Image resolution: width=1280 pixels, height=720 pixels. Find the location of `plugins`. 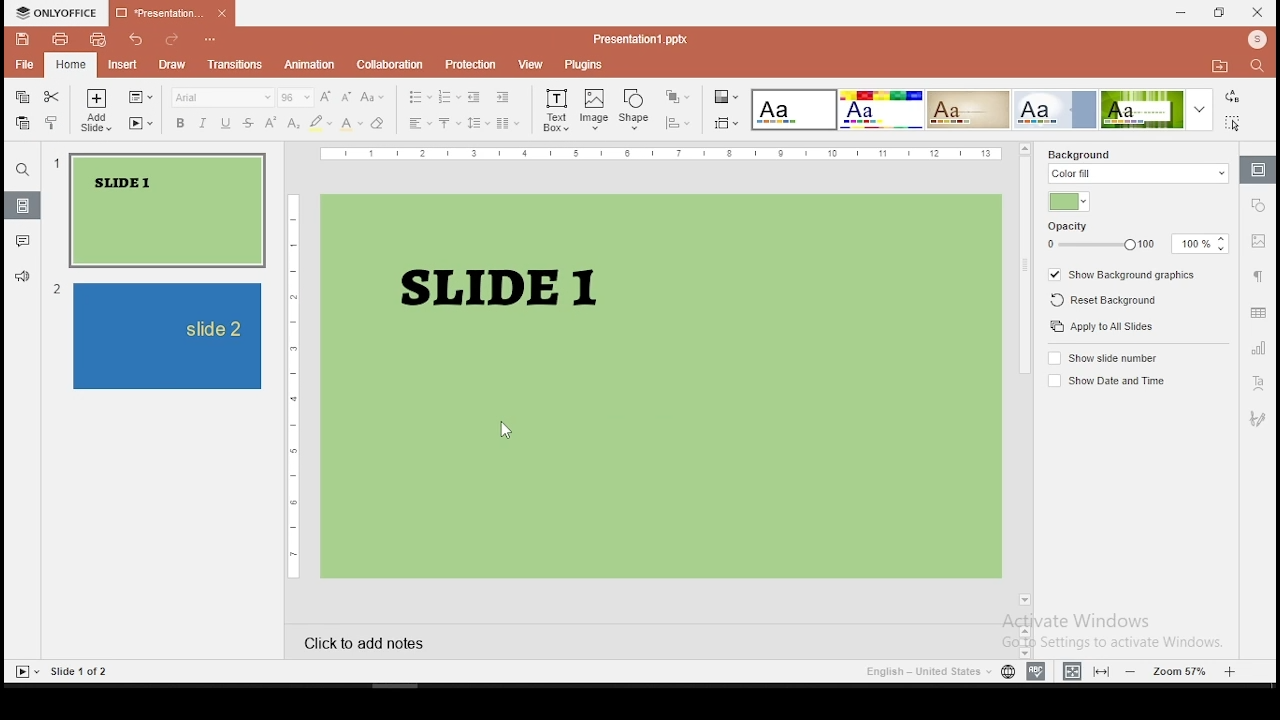

plugins is located at coordinates (583, 65).